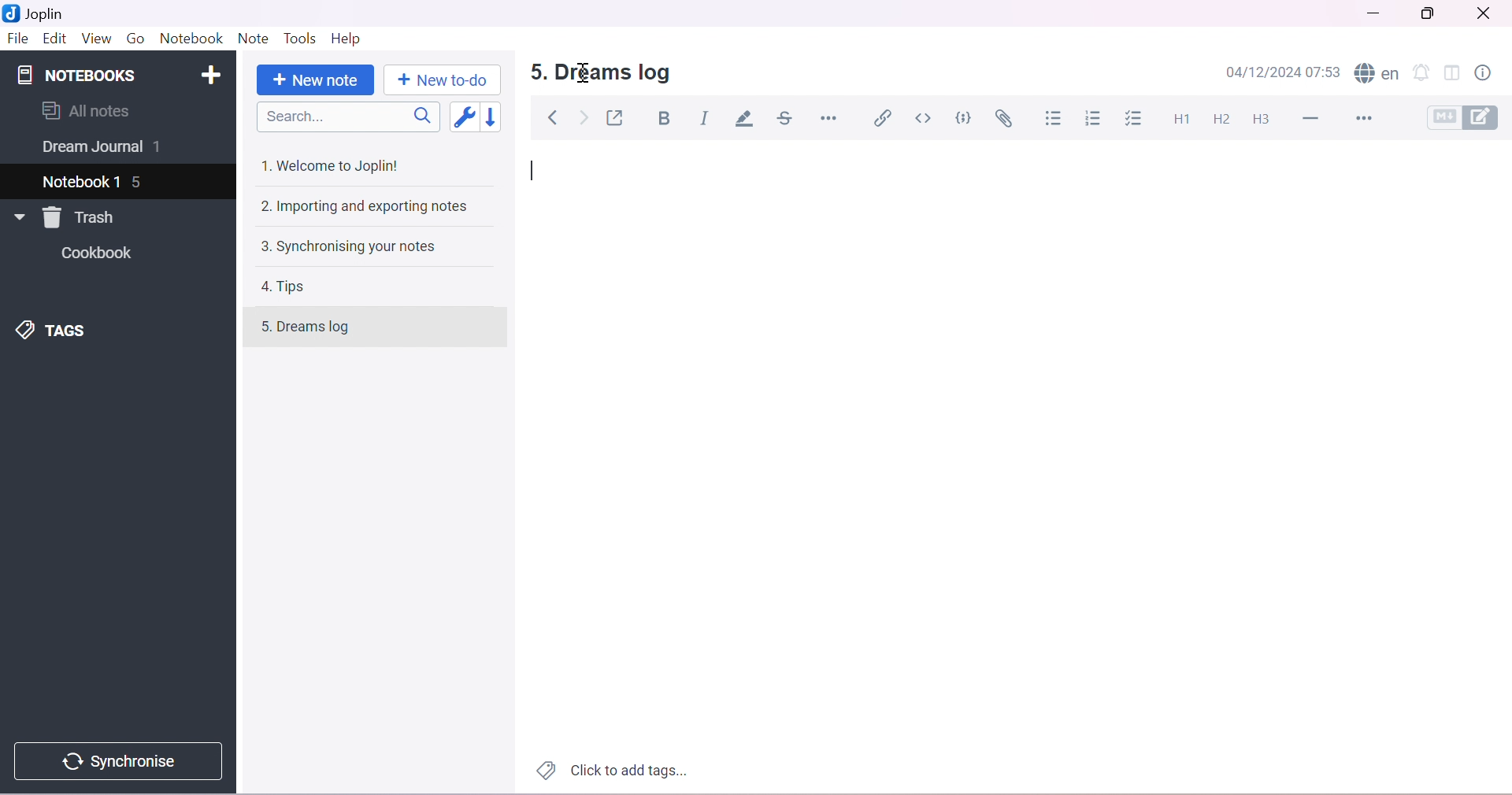 Image resolution: width=1512 pixels, height=795 pixels. Describe the element at coordinates (535, 172) in the screenshot. I see `Typing cursor` at that location.